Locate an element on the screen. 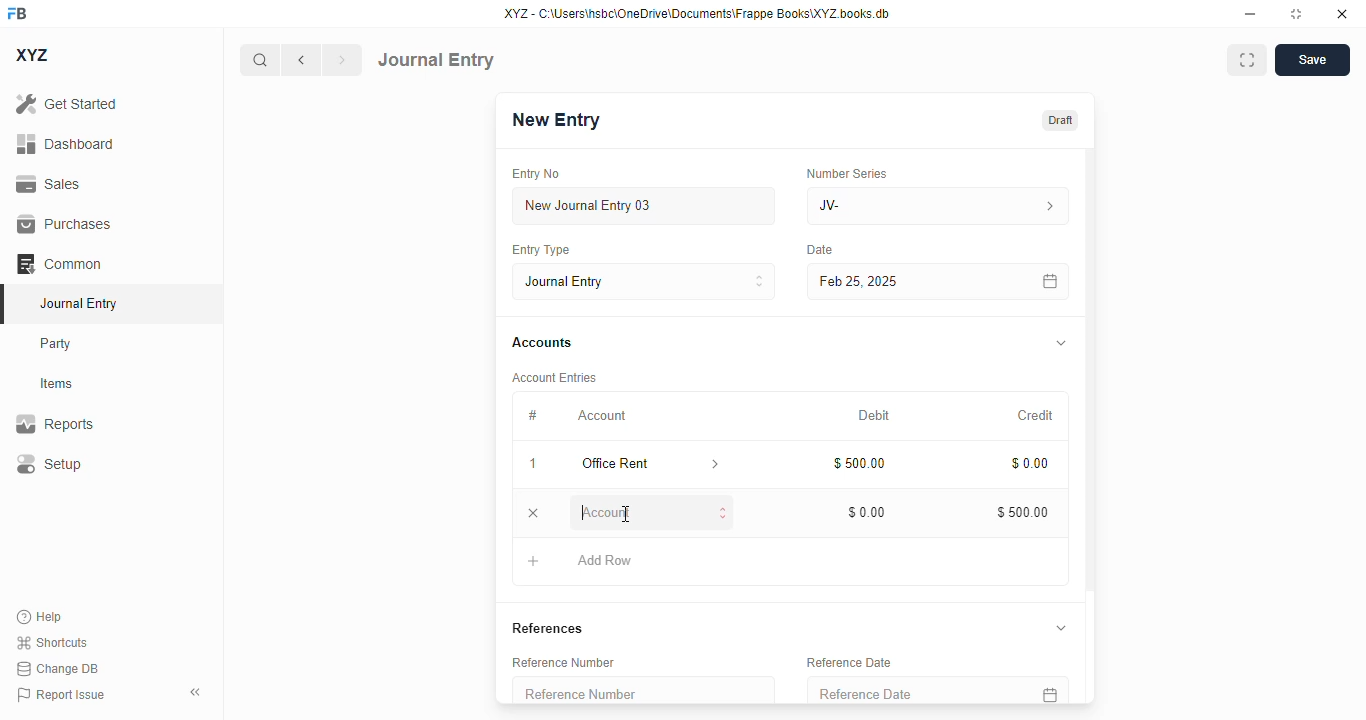  reference number is located at coordinates (563, 662).